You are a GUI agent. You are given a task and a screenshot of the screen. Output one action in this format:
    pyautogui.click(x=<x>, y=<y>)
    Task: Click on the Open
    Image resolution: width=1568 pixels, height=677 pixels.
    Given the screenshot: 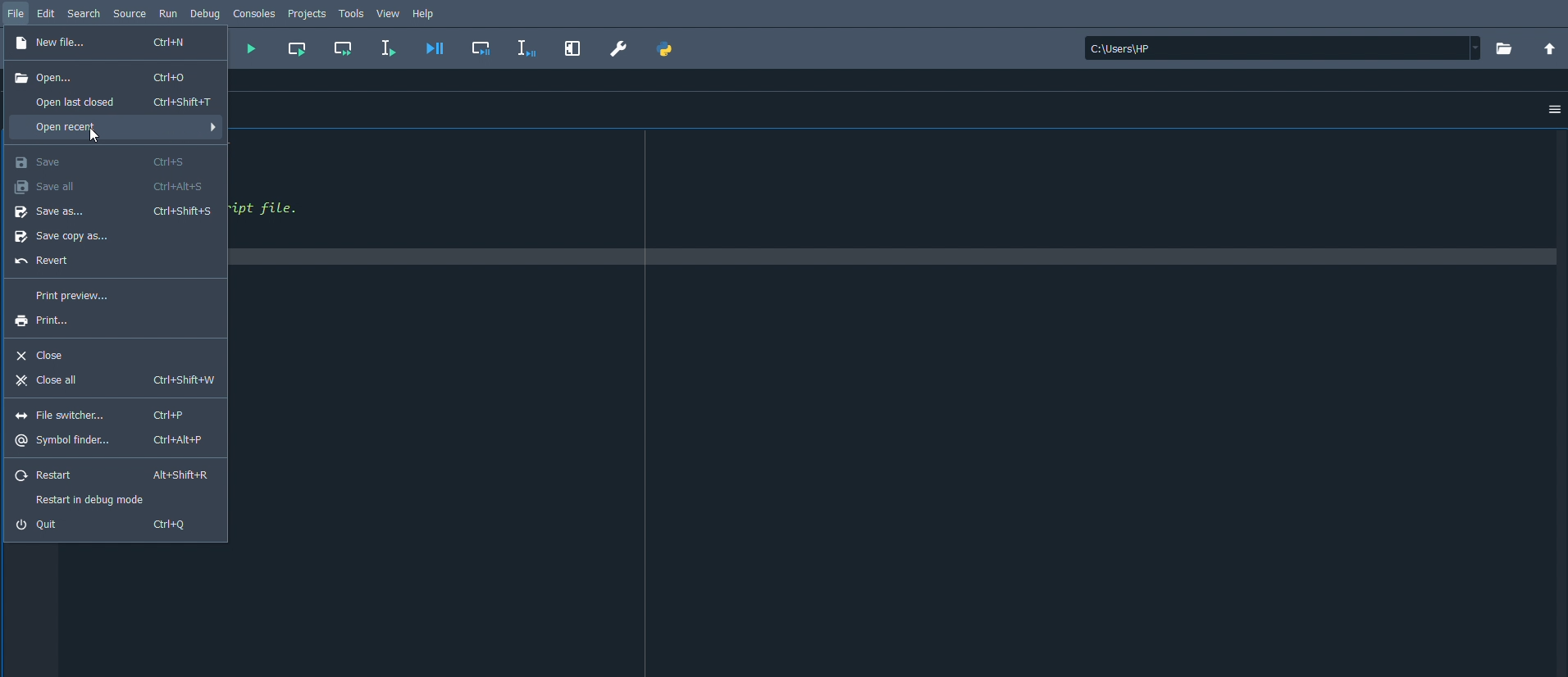 What is the action you would take?
    pyautogui.click(x=103, y=77)
    